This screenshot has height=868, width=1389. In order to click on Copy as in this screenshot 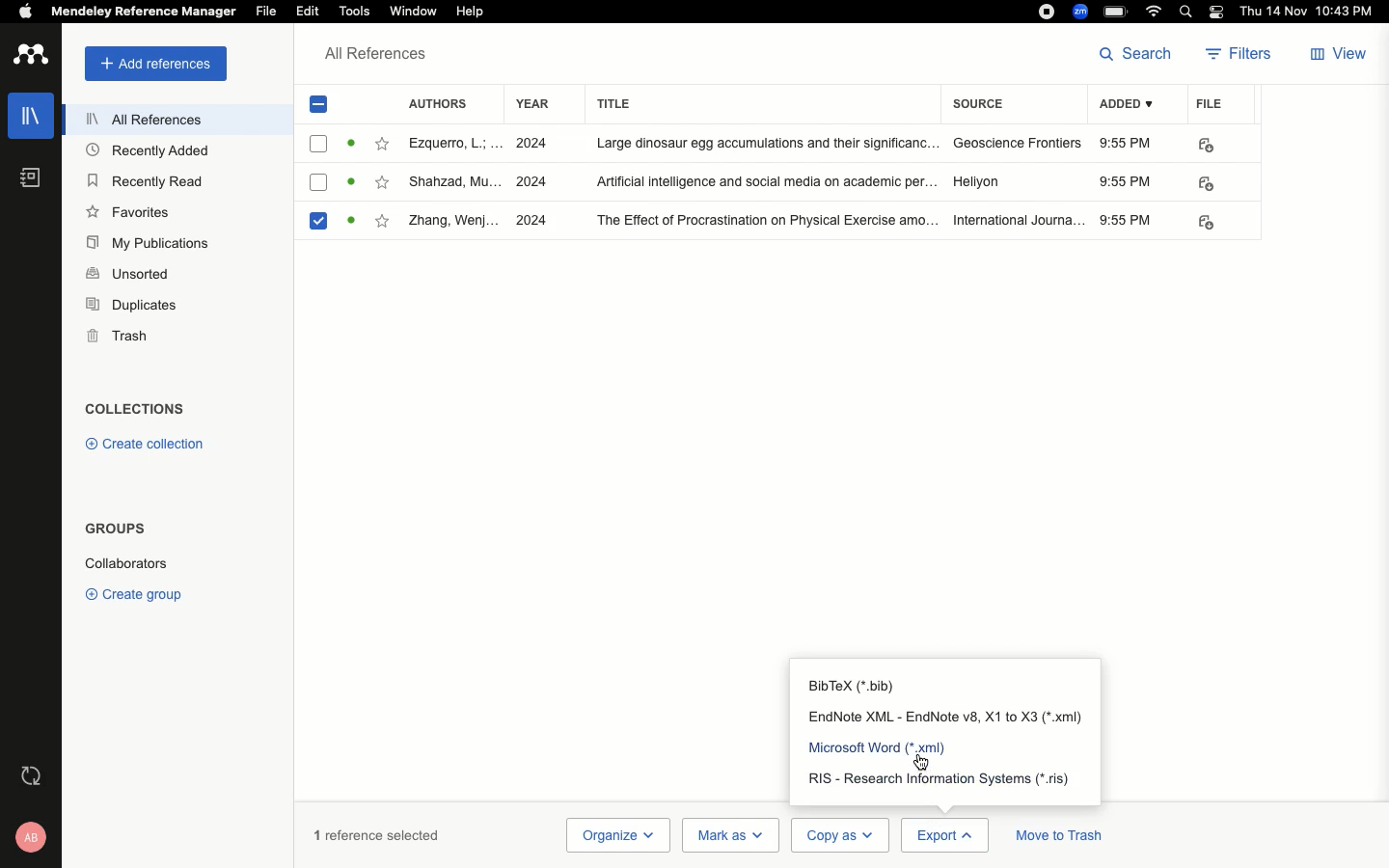, I will do `click(838, 835)`.